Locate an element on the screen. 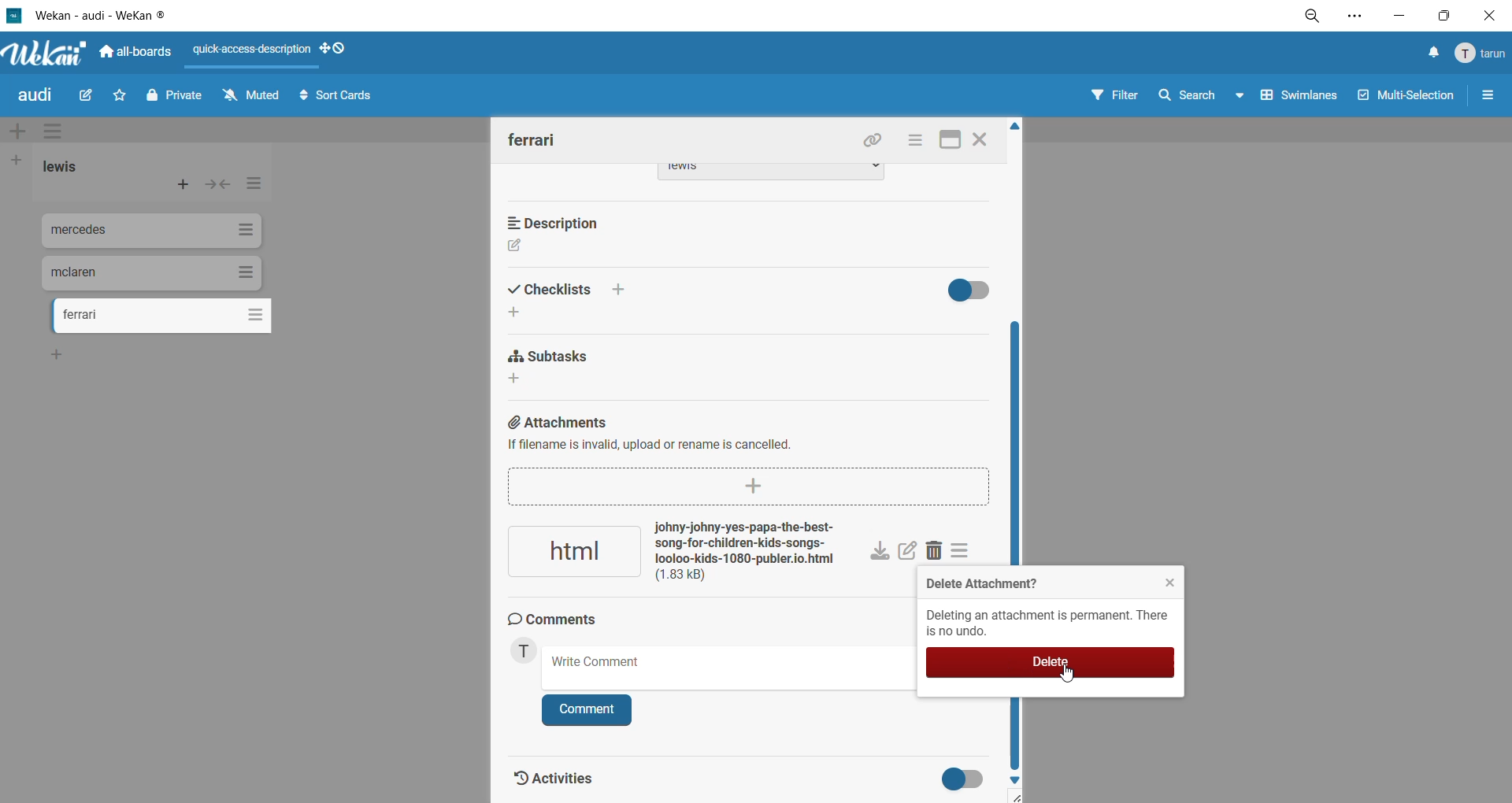 The height and width of the screenshot is (803, 1512). private is located at coordinates (174, 100).